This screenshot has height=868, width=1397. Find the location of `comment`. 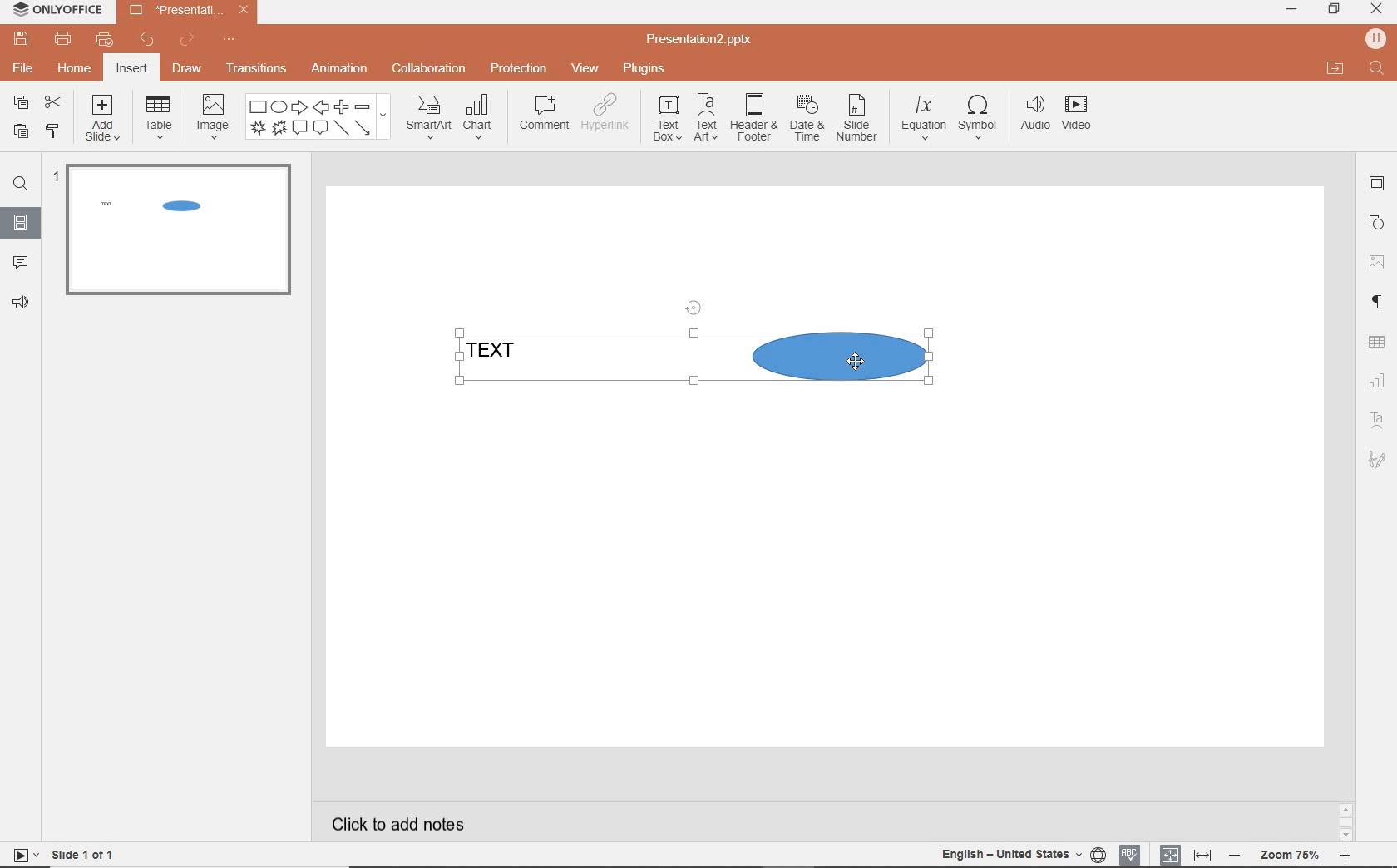

comment is located at coordinates (545, 113).